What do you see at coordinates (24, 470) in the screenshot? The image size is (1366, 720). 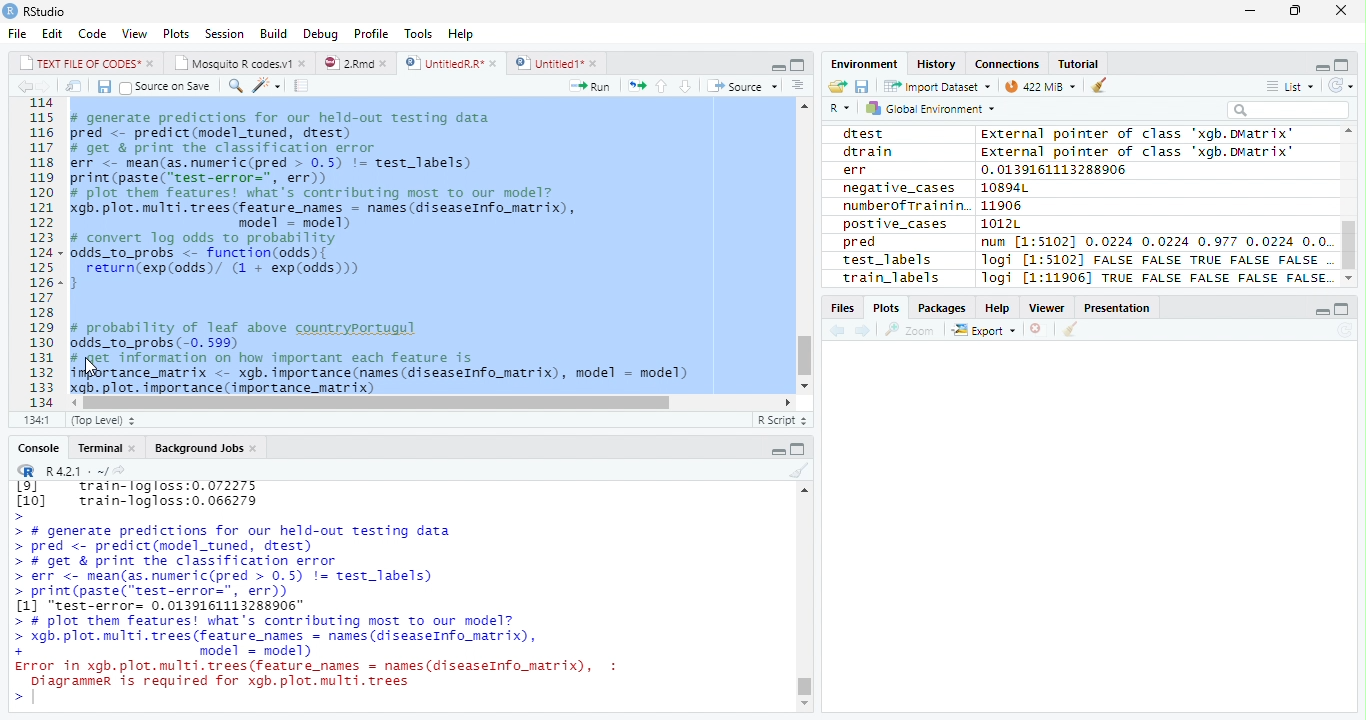 I see `R` at bounding box center [24, 470].